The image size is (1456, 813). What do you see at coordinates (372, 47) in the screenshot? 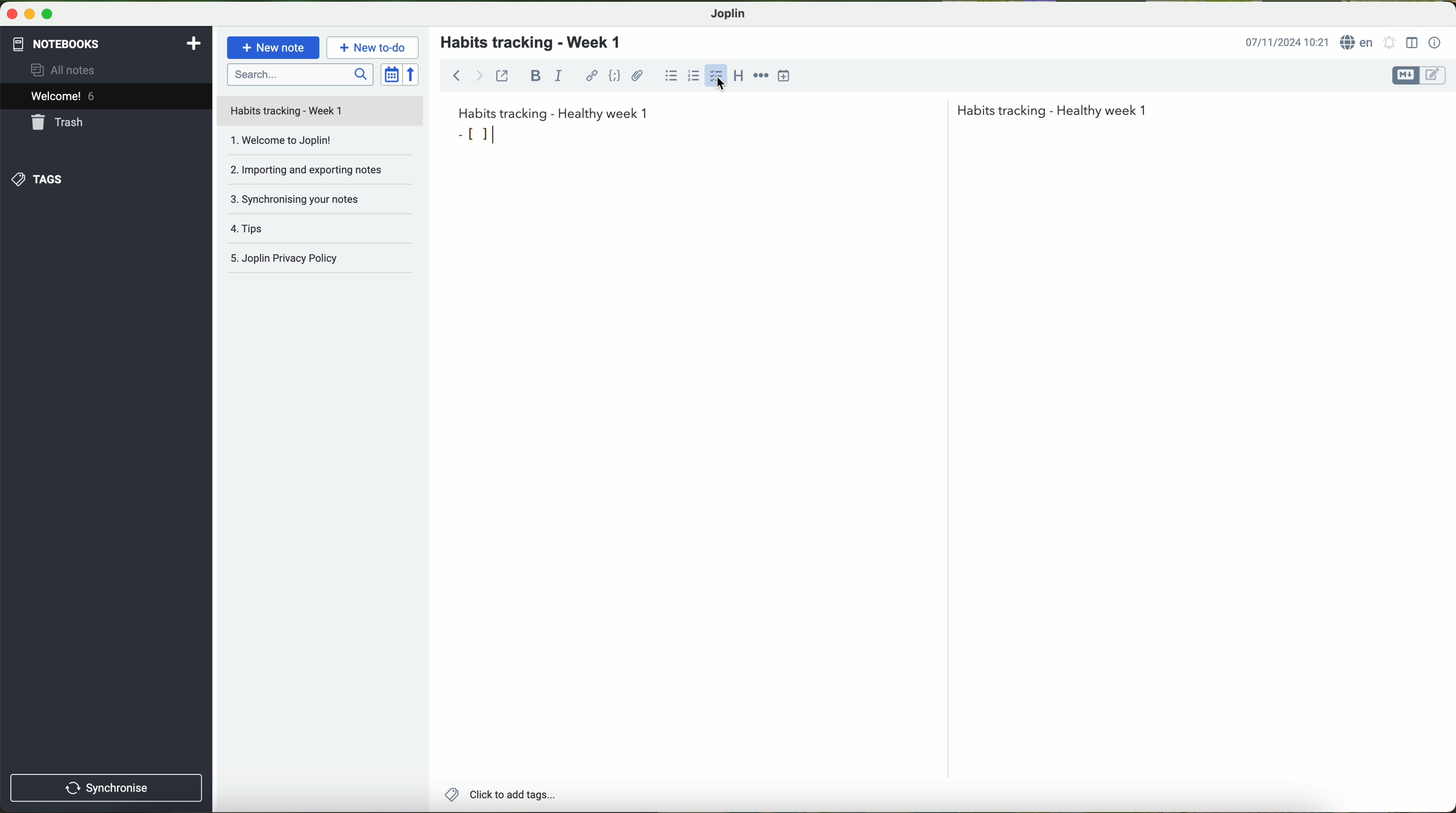
I see `new to-do button` at bounding box center [372, 47].